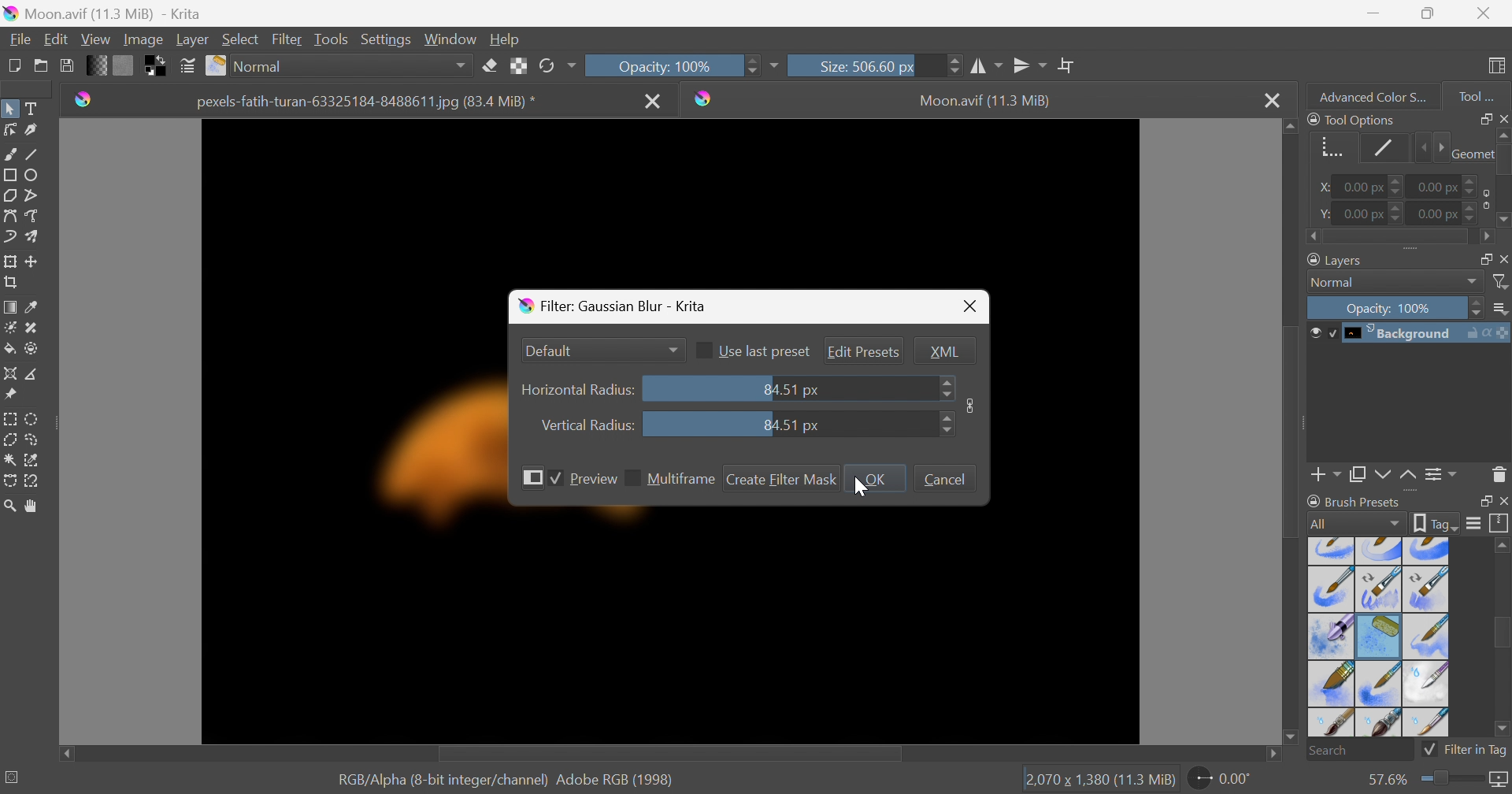 The image size is (1512, 794). Describe the element at coordinates (707, 98) in the screenshot. I see `Krita icon` at that location.